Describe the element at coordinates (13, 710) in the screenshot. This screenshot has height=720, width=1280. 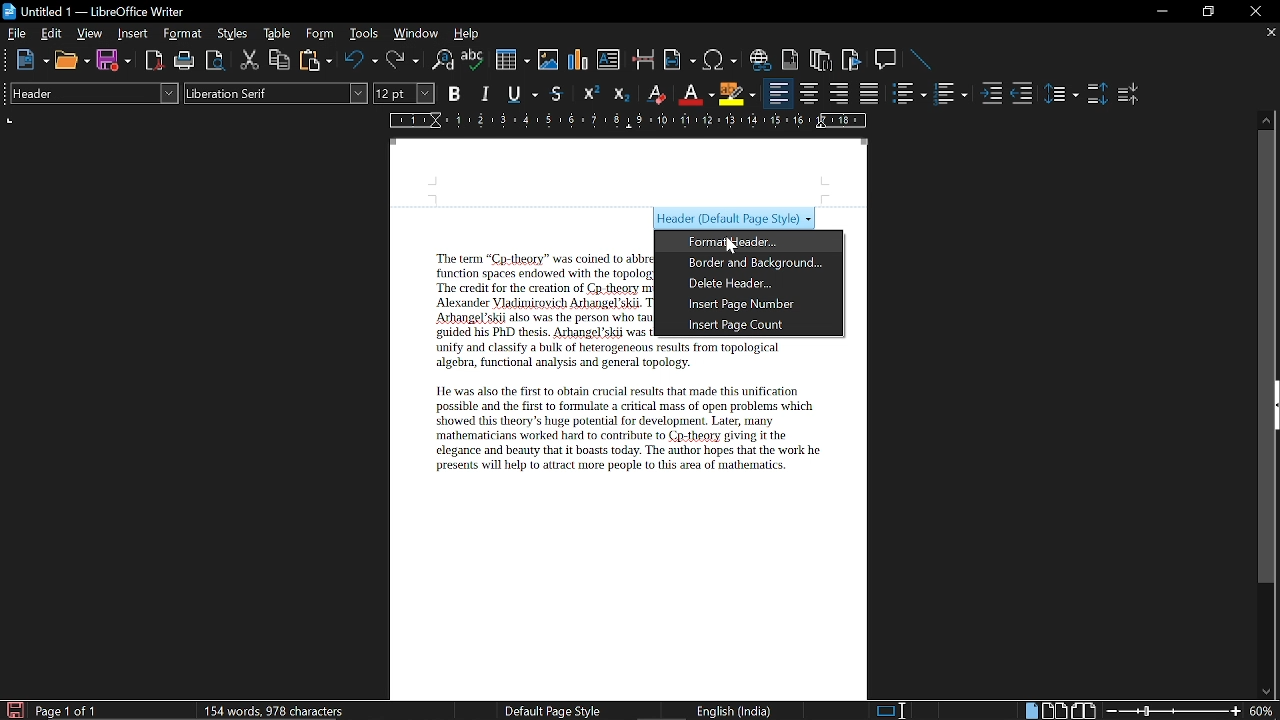
I see `Save` at that location.